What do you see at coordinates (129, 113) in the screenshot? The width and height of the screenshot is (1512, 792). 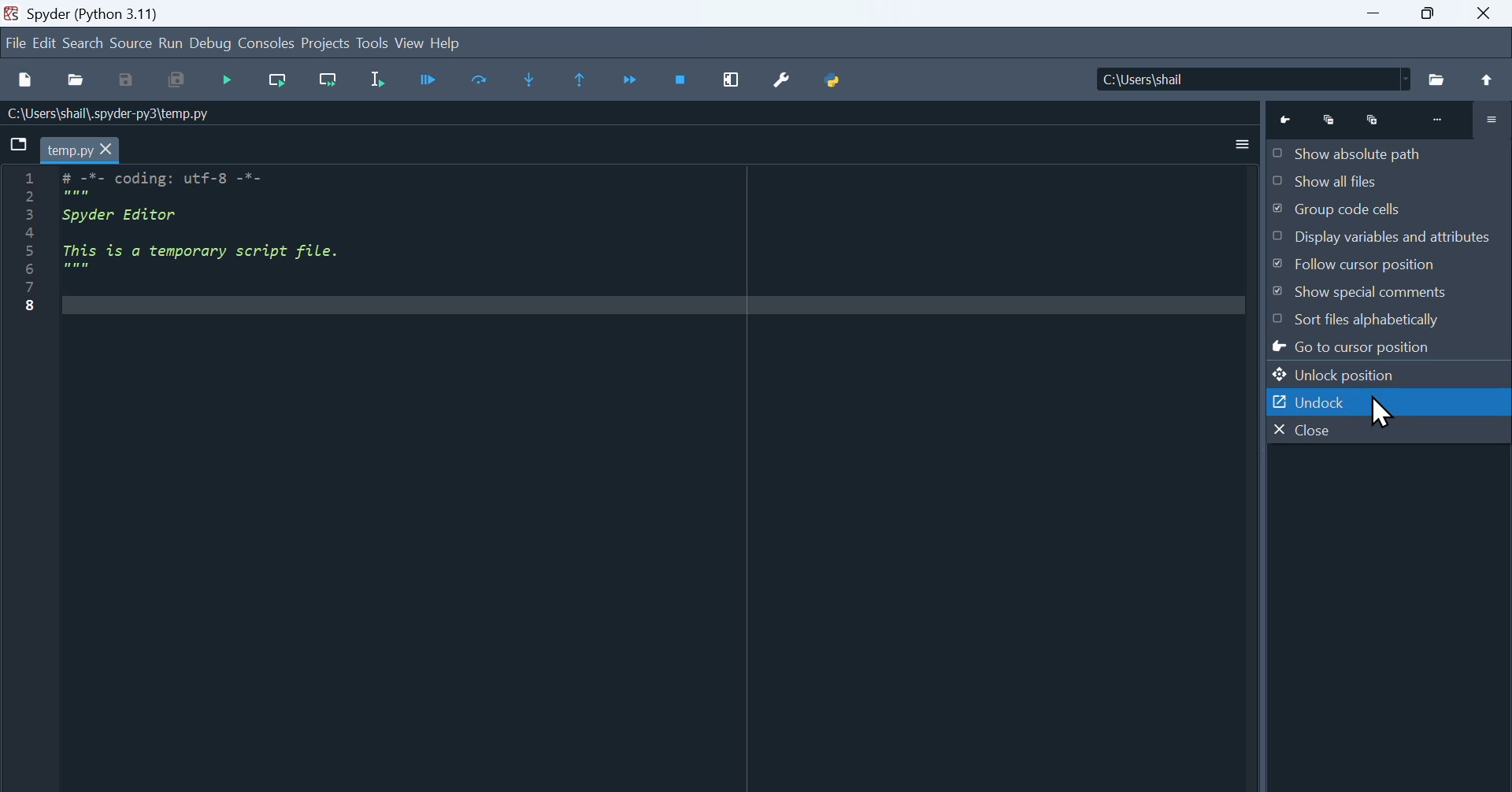 I see `C:\Users\shail\.spyder-py3\temp.py` at bounding box center [129, 113].